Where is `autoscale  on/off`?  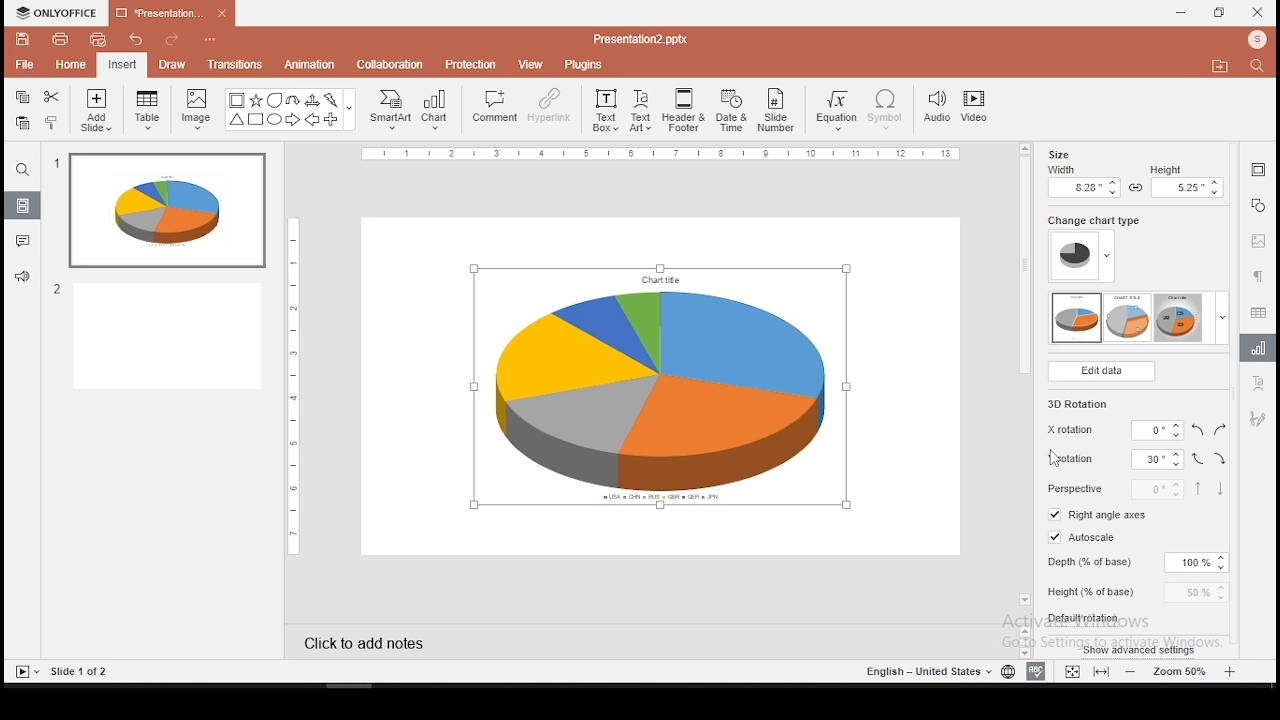 autoscale  on/off is located at coordinates (1083, 537).